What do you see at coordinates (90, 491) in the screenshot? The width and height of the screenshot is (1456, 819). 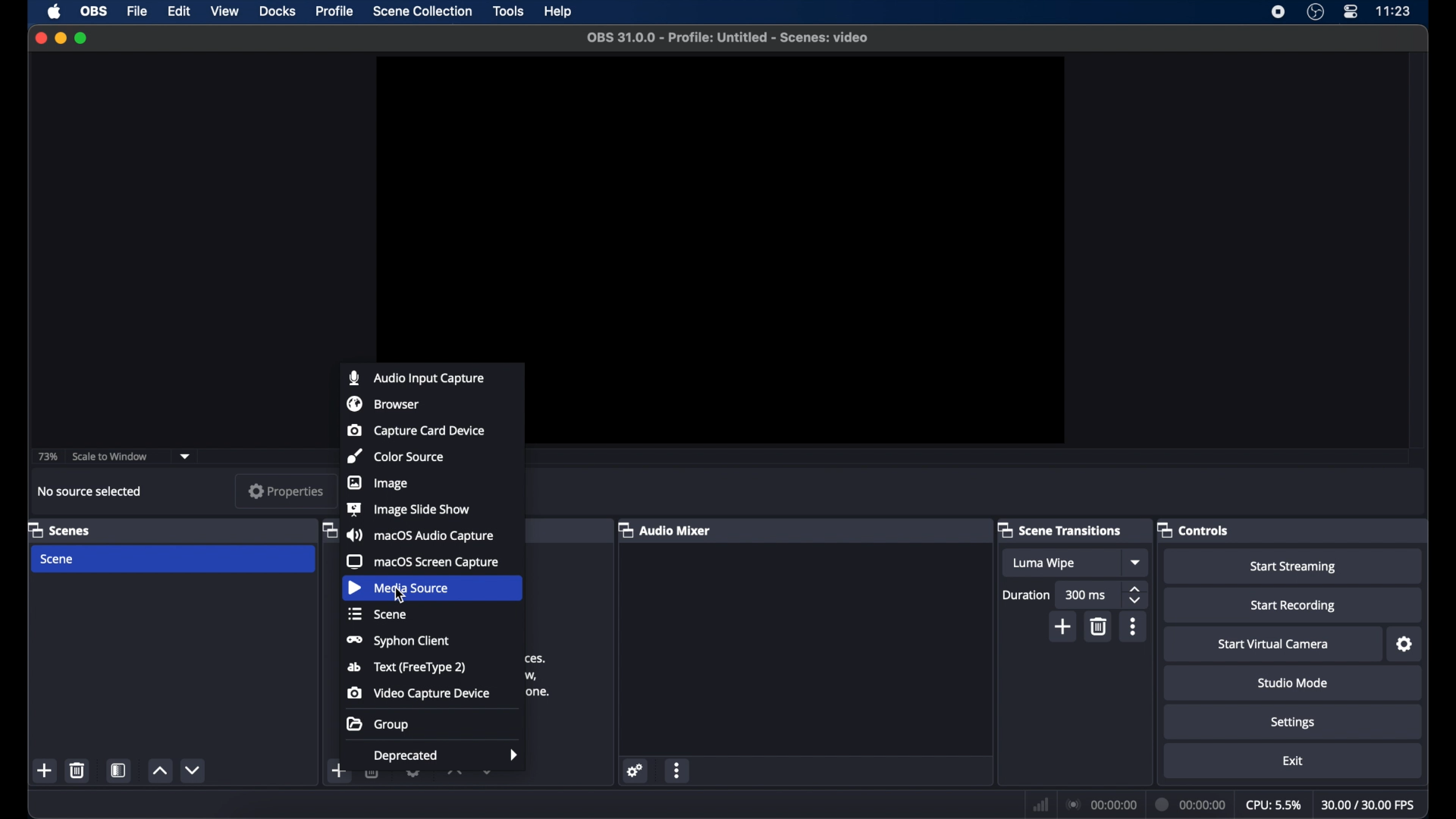 I see `no source selected` at bounding box center [90, 491].